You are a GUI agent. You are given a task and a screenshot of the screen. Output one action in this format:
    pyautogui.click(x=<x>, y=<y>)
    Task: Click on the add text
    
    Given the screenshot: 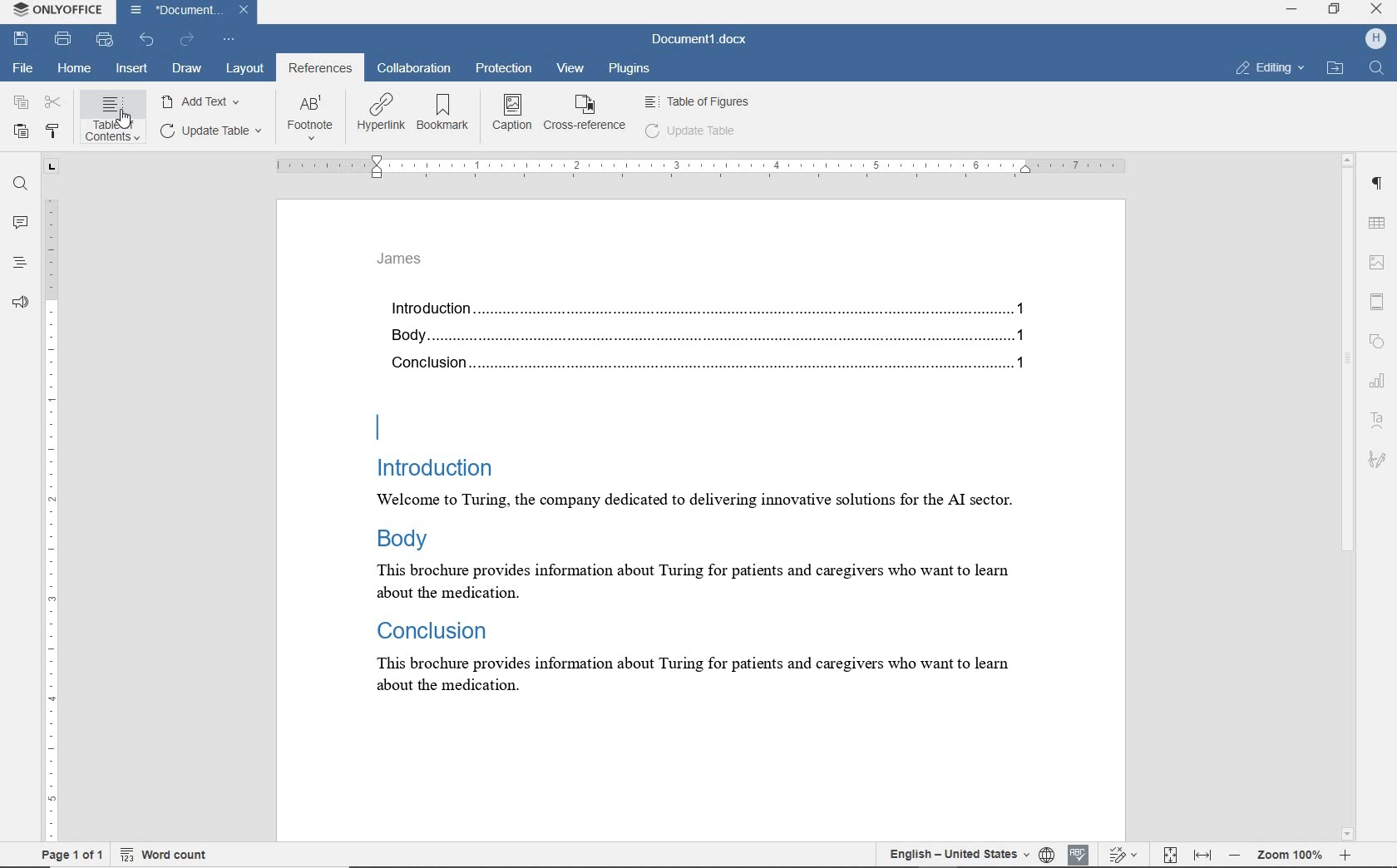 What is the action you would take?
    pyautogui.click(x=204, y=101)
    